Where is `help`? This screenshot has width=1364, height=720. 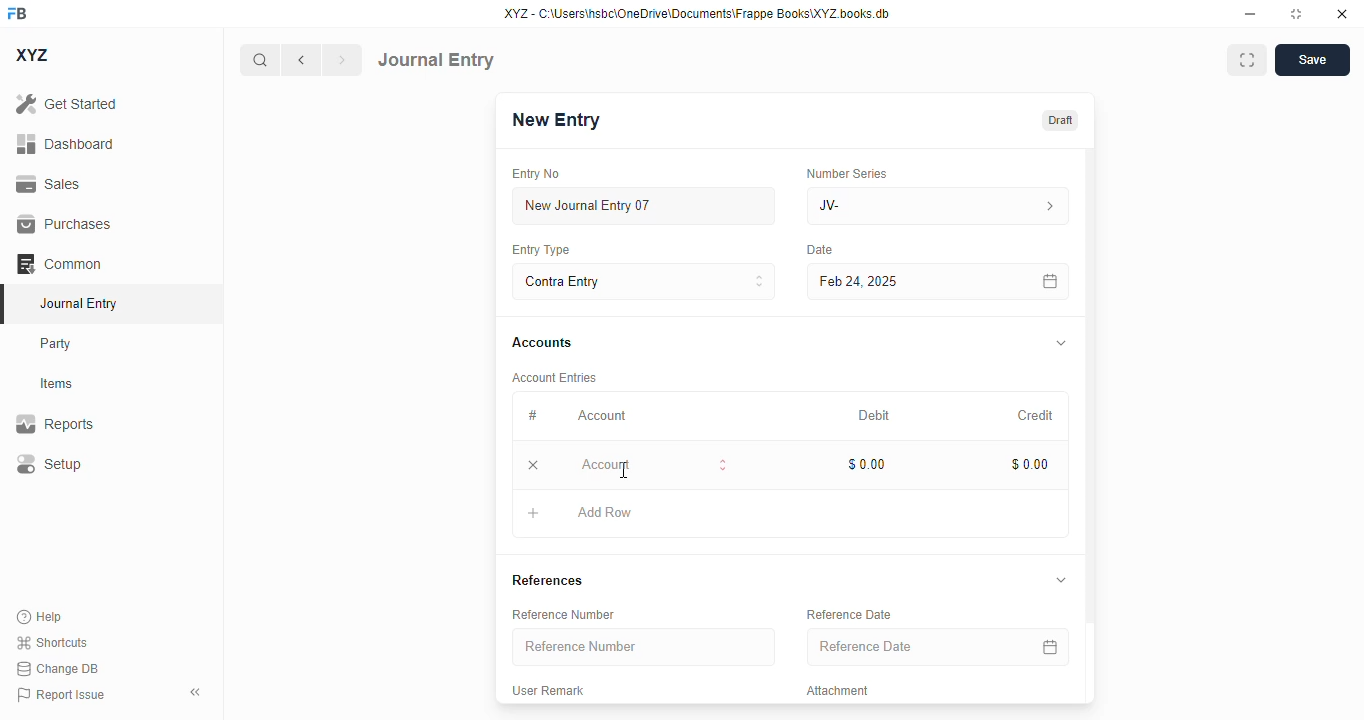 help is located at coordinates (40, 617).